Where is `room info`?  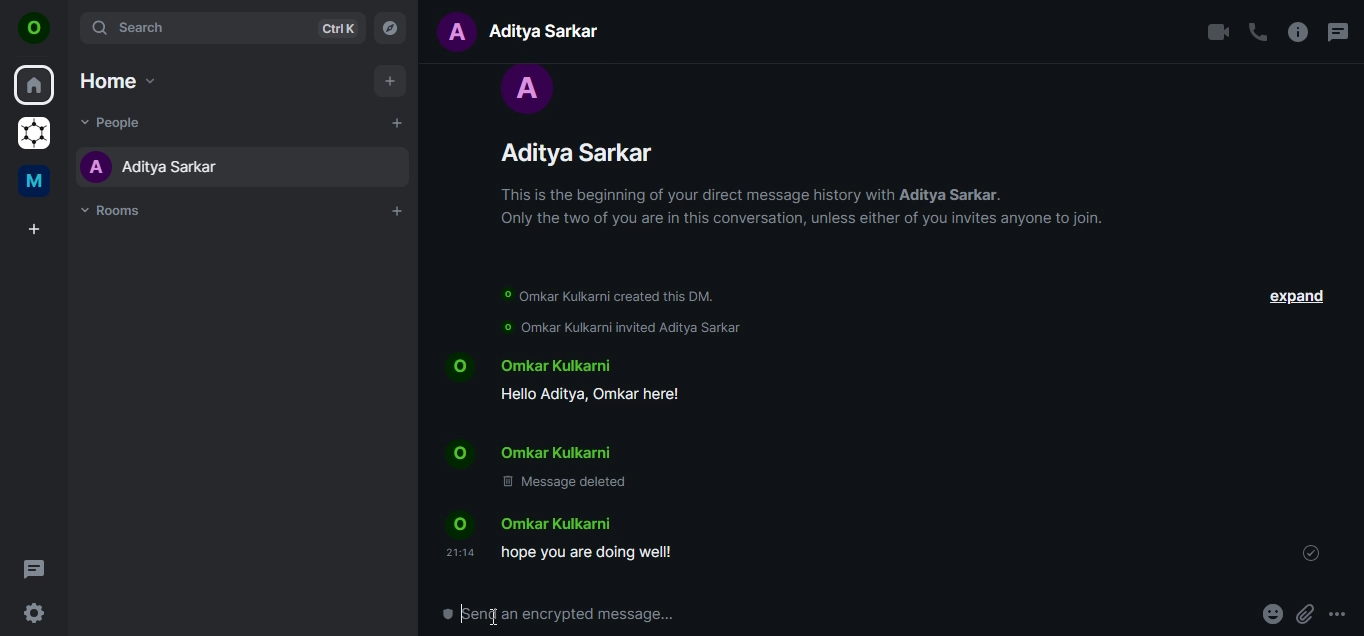 room info is located at coordinates (1296, 31).